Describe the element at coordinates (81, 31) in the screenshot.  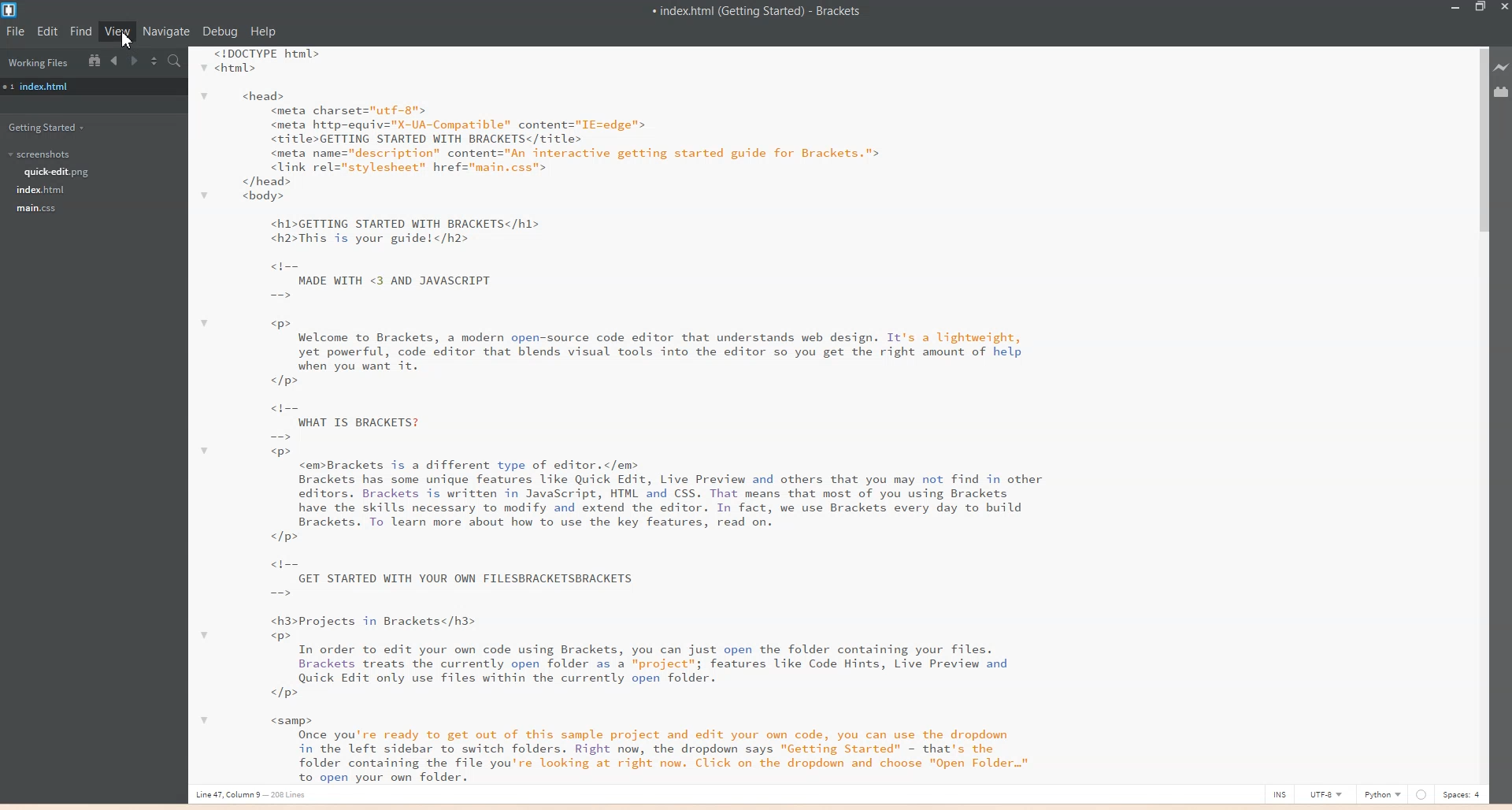
I see `Find` at that location.